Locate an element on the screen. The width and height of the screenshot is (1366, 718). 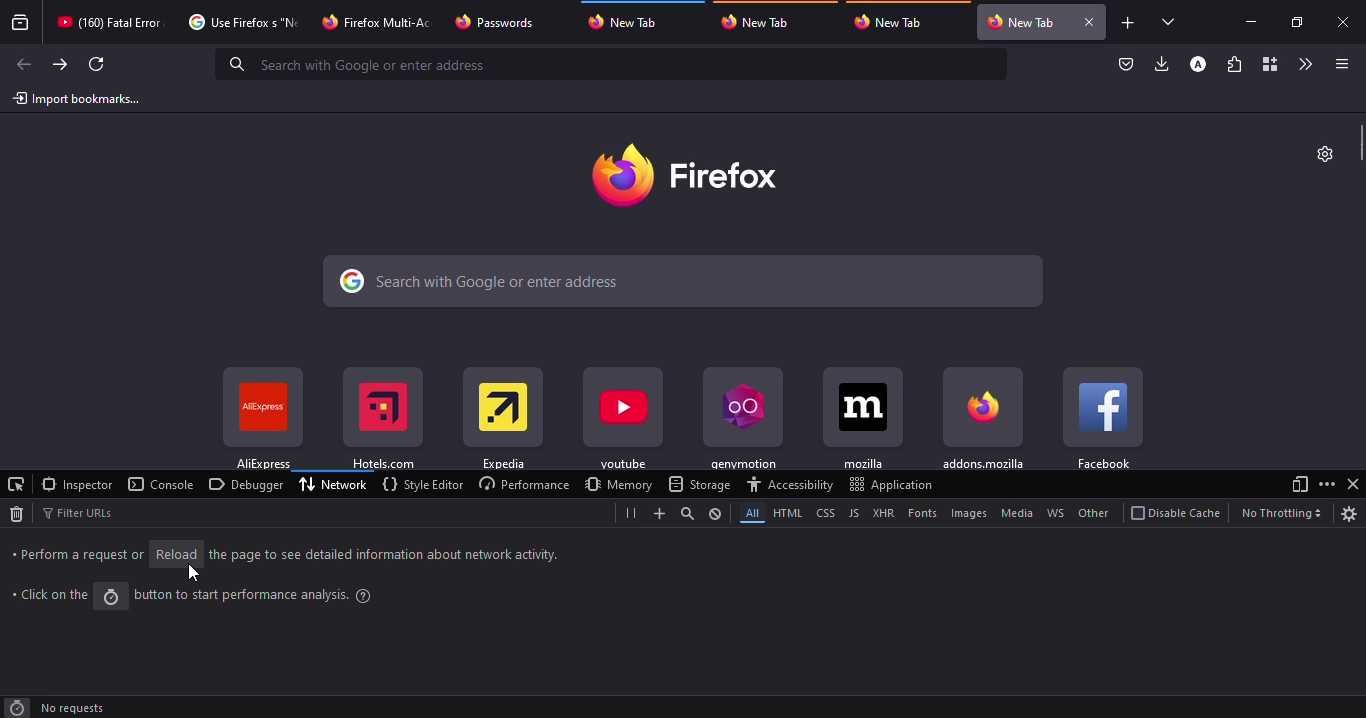
forward is located at coordinates (58, 64).